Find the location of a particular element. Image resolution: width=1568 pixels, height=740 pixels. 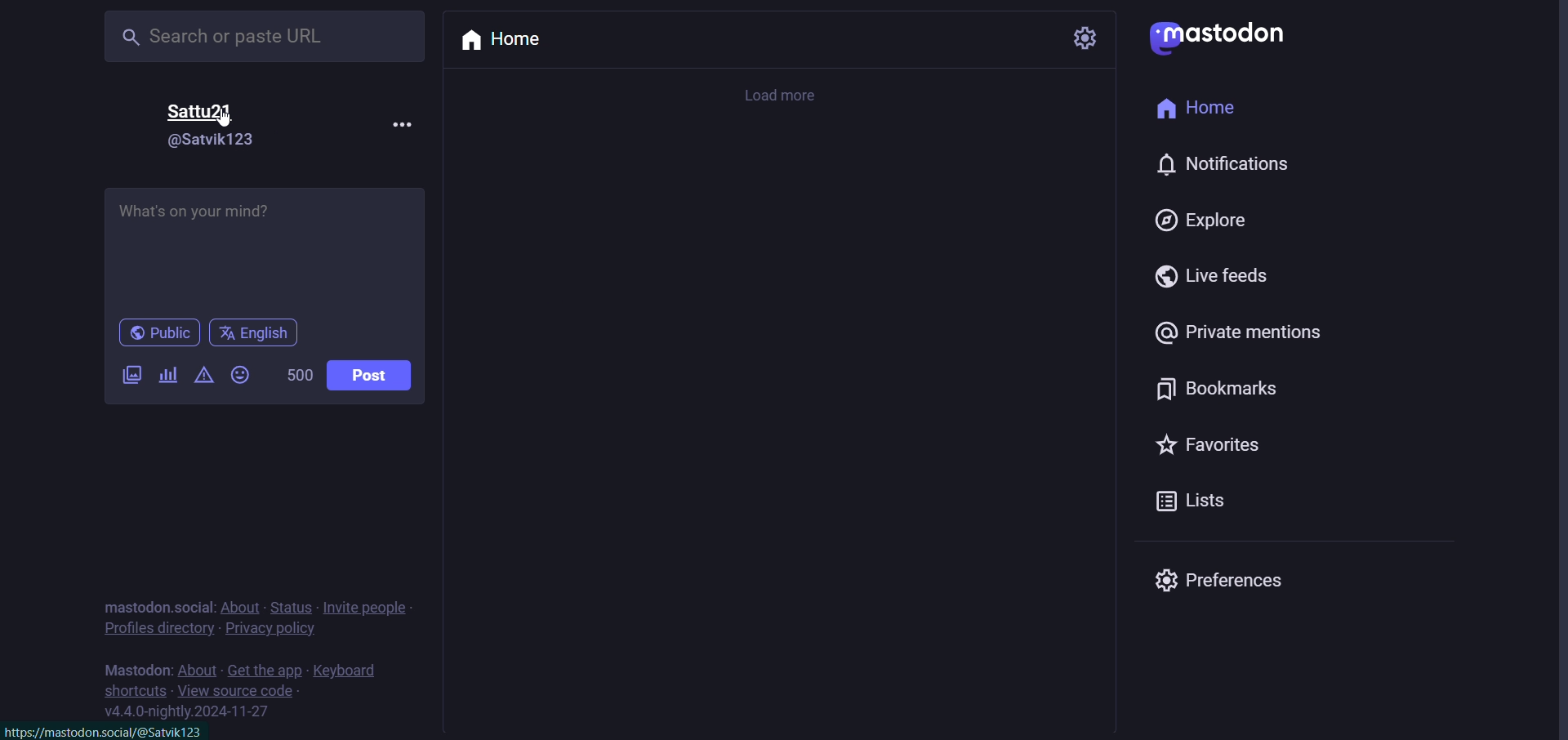

Sattu21 is located at coordinates (202, 113).